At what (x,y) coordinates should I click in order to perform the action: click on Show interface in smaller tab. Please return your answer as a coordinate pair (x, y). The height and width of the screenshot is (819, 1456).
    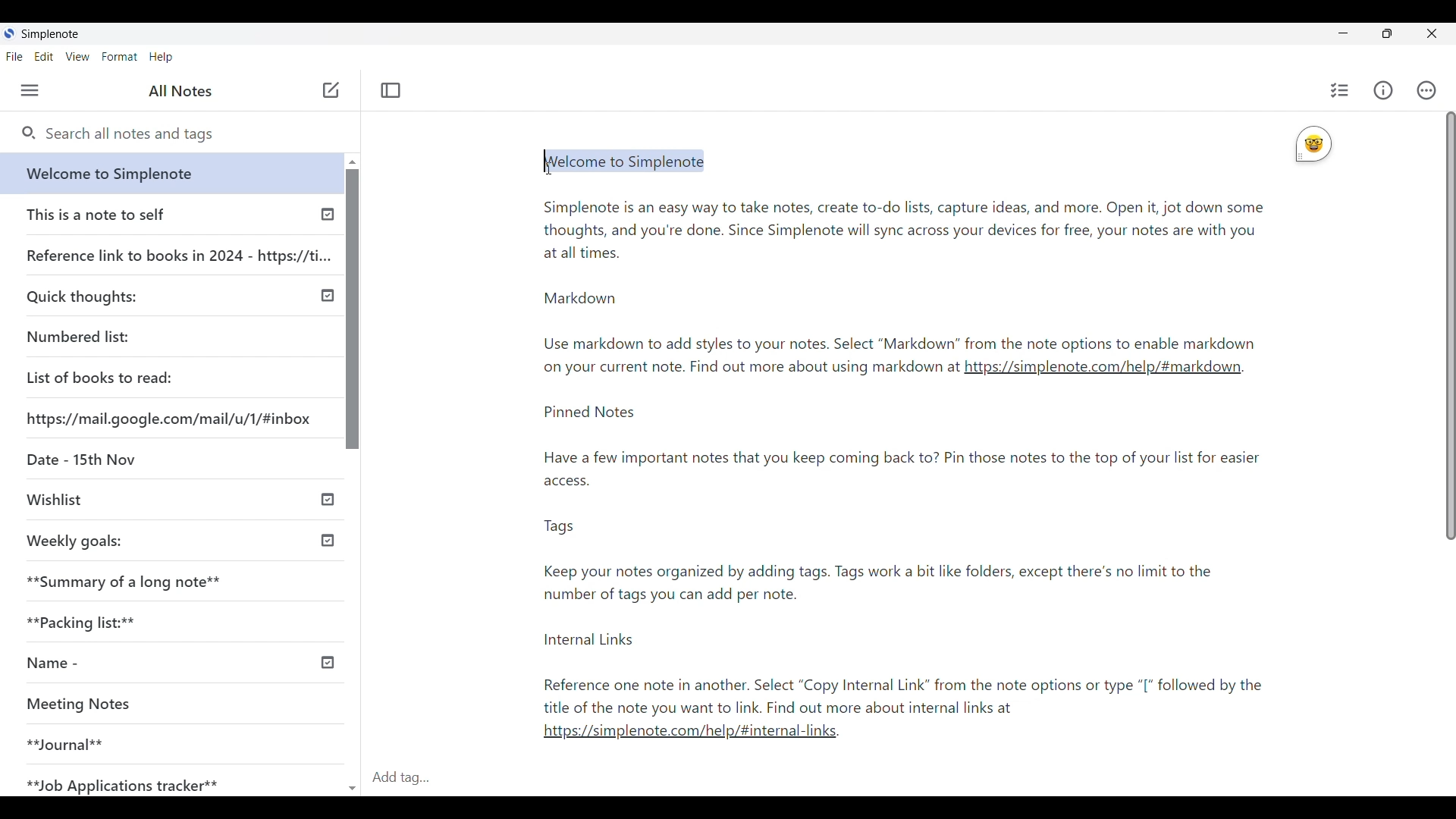
    Looking at the image, I should click on (1387, 33).